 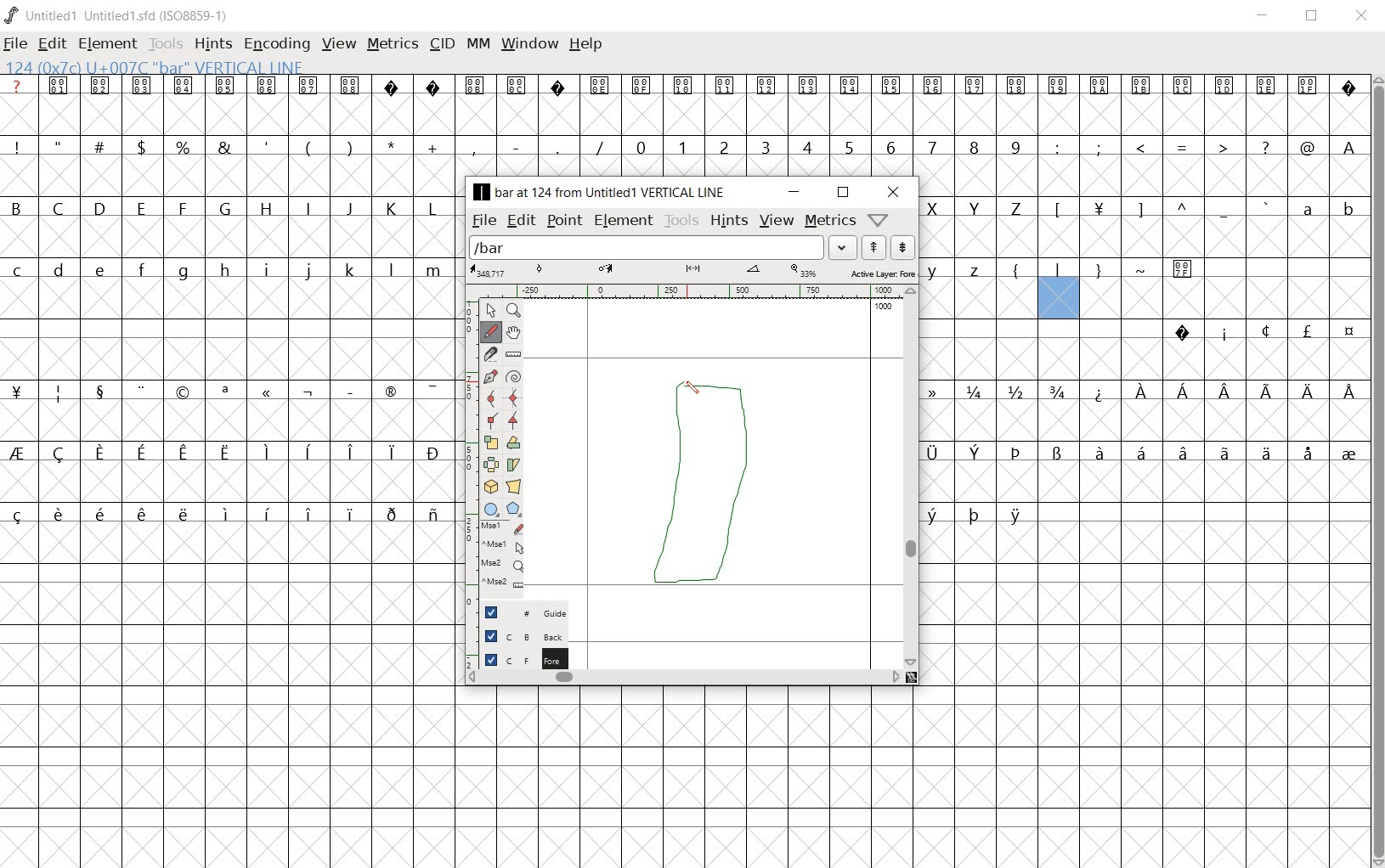 I want to click on special symbols and nymbers, so click(x=229, y=391).